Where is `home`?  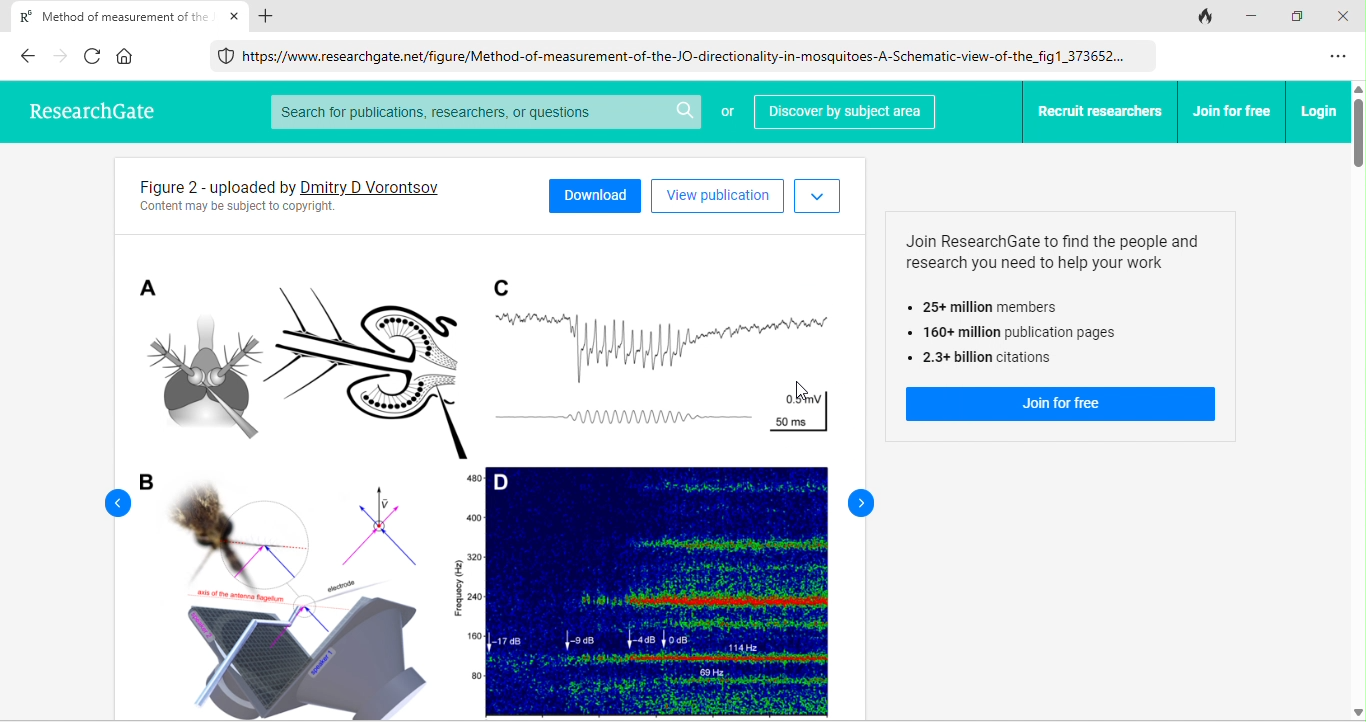 home is located at coordinates (126, 56).